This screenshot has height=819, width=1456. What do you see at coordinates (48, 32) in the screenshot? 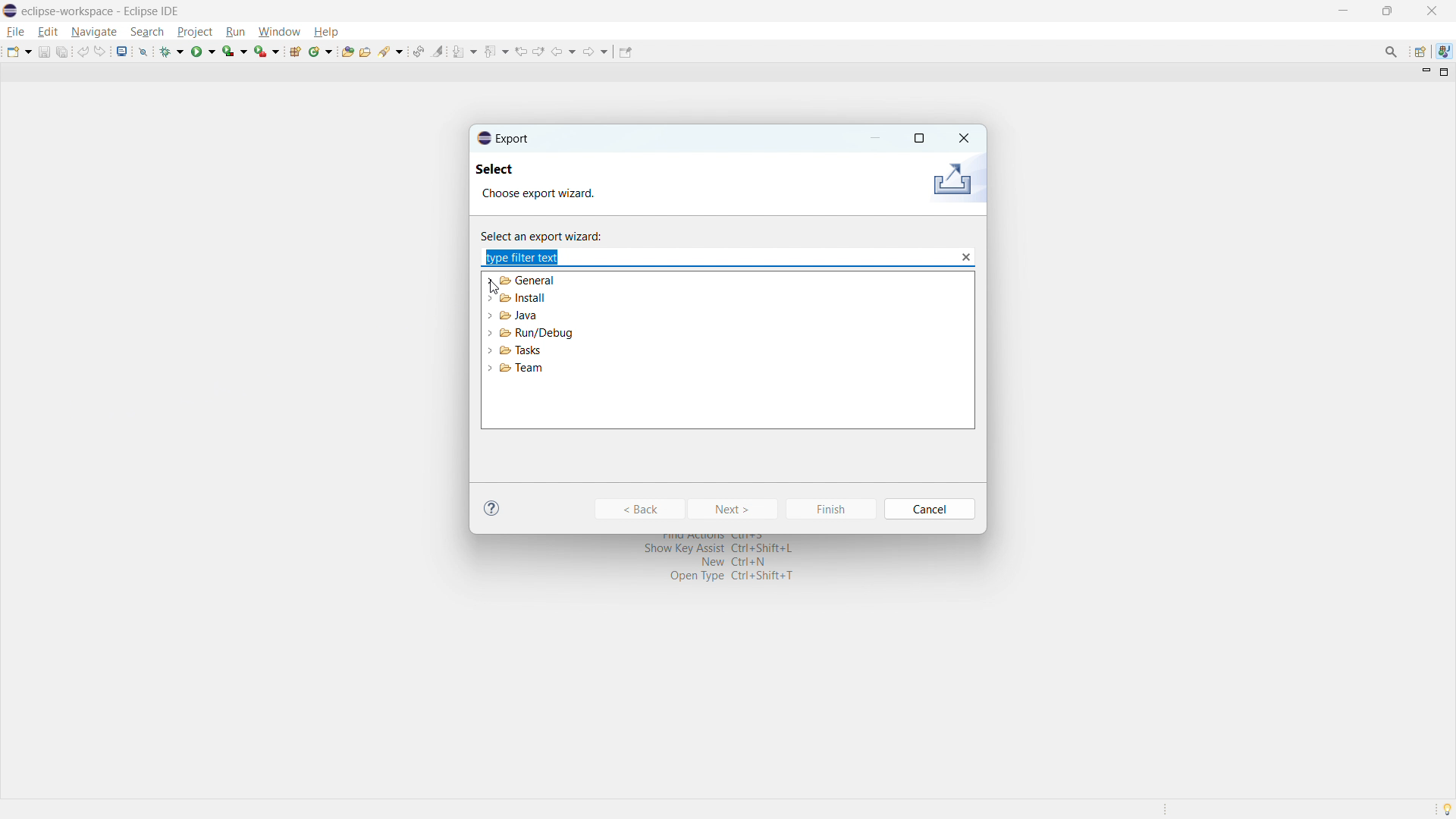
I see `edit` at bounding box center [48, 32].